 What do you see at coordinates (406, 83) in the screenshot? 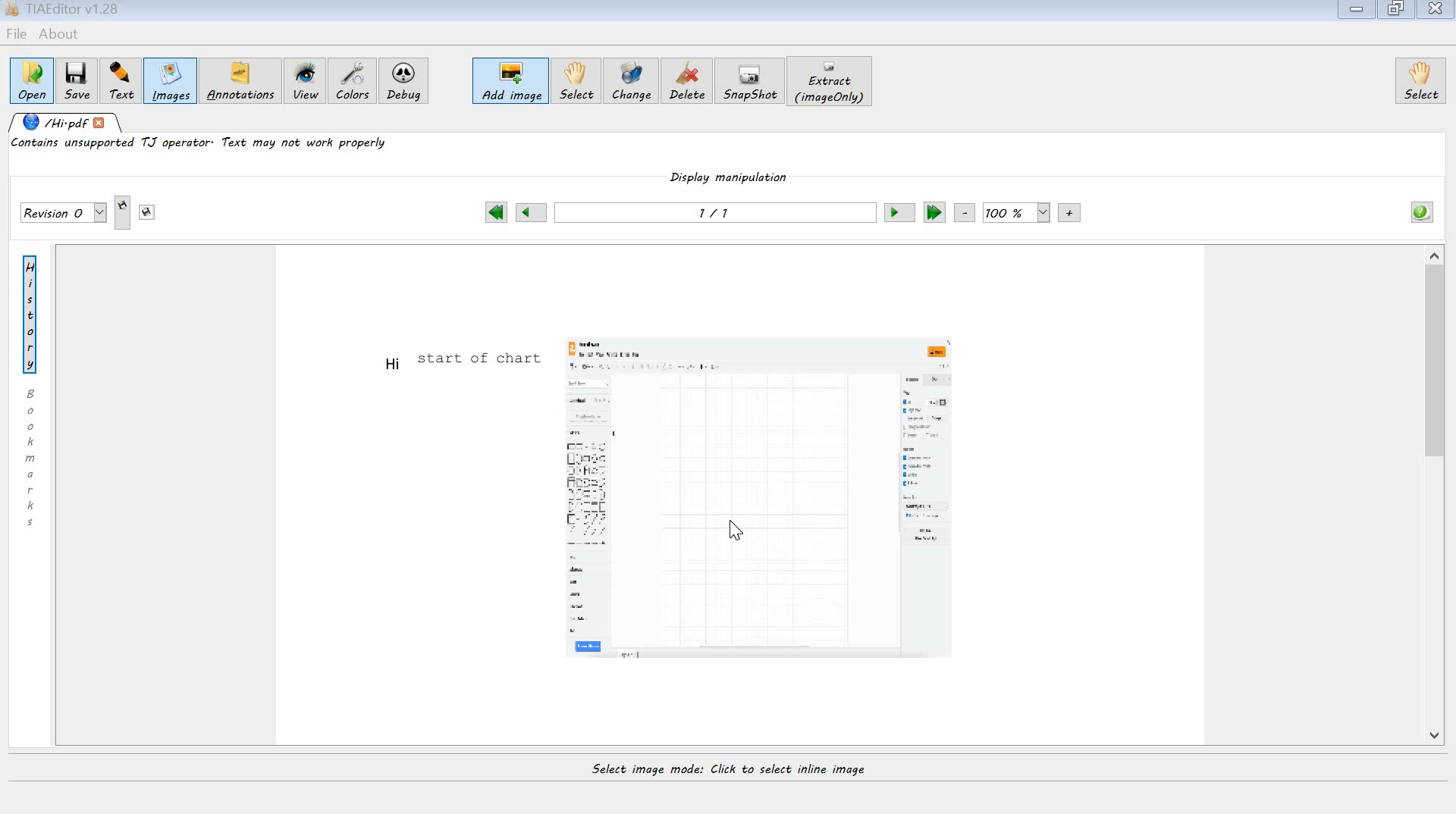
I see `debug` at bounding box center [406, 83].